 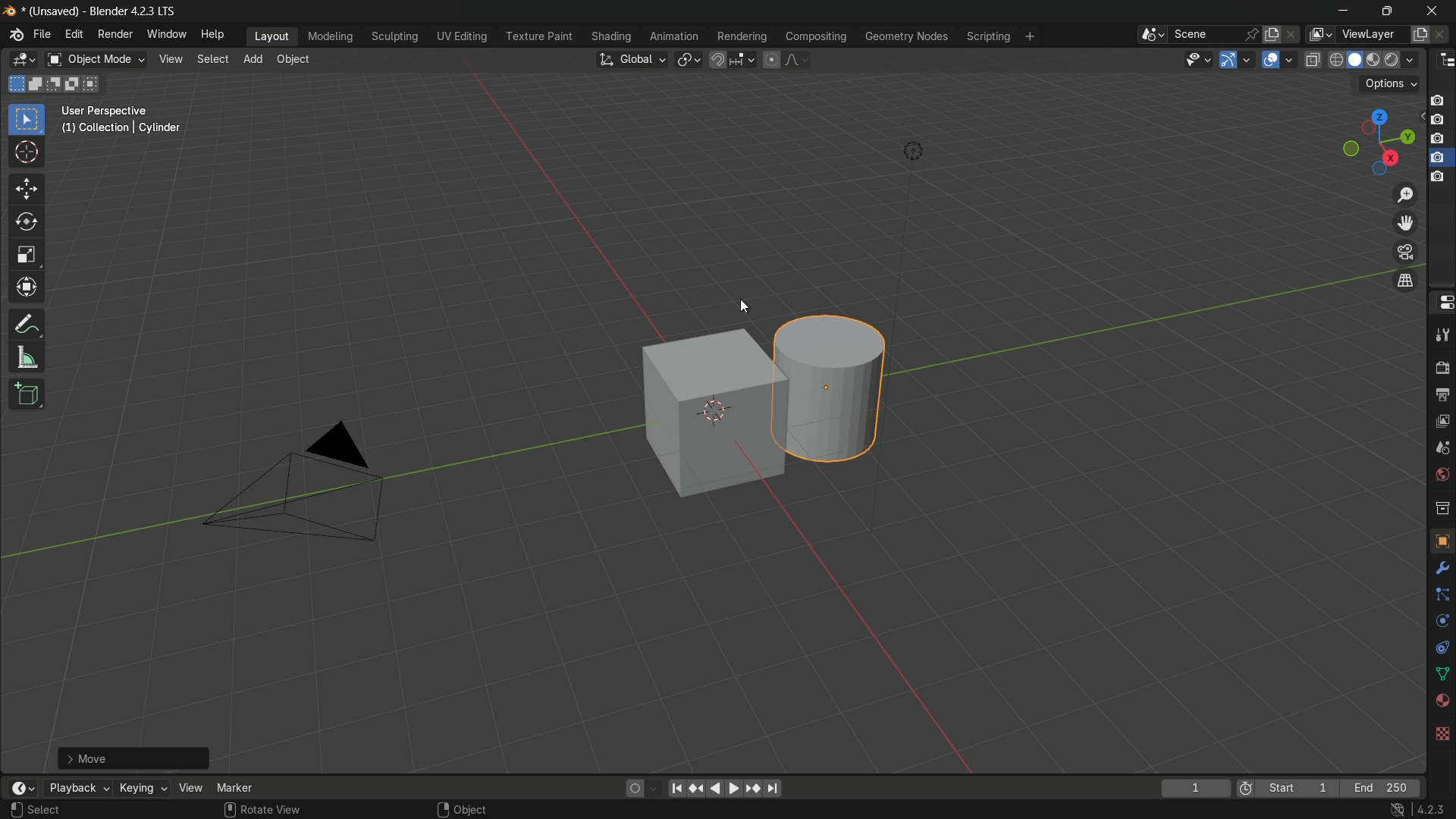 I want to click on capture, so click(x=1442, y=99).